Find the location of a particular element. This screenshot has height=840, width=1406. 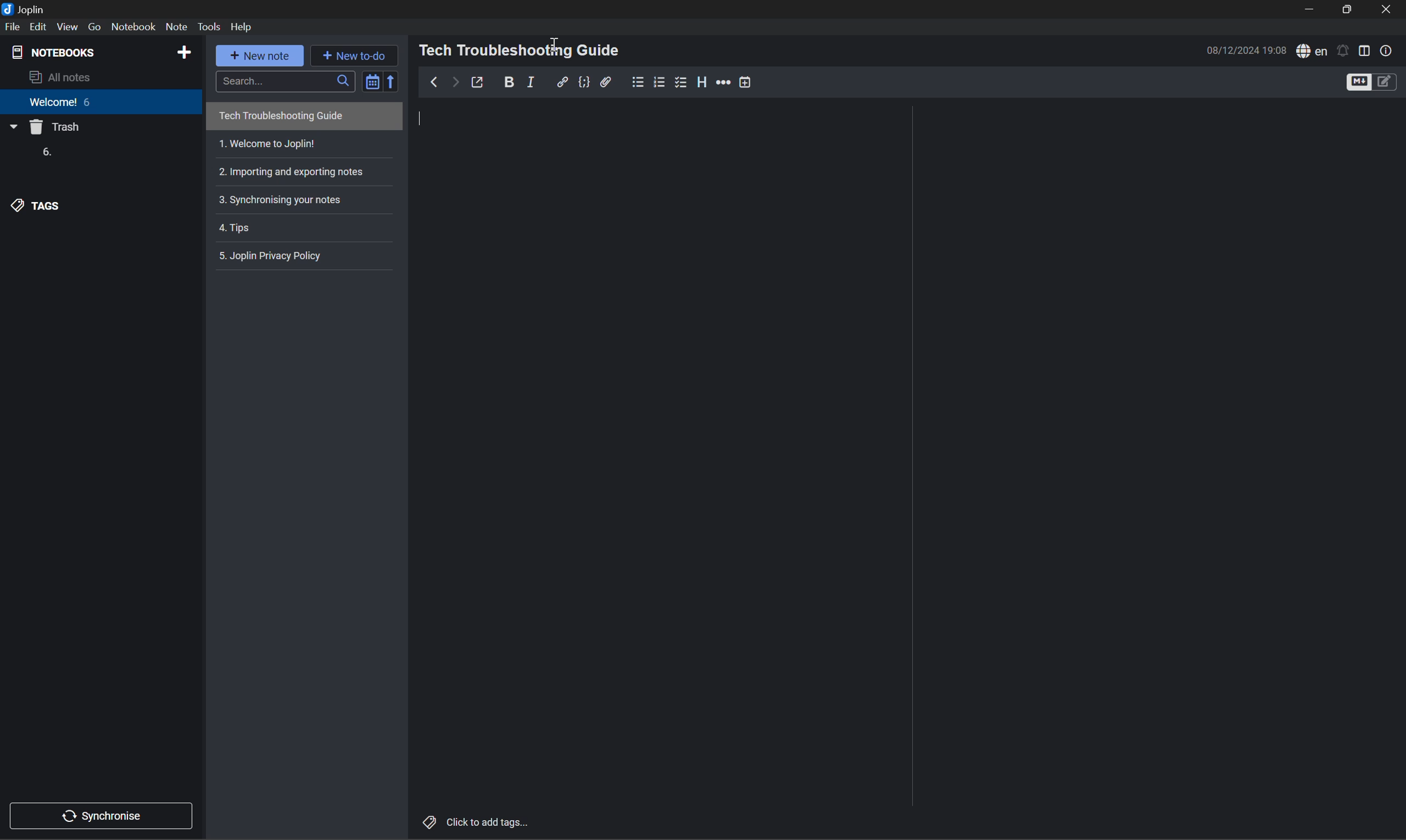

5. Joplin privacy policy is located at coordinates (274, 255).